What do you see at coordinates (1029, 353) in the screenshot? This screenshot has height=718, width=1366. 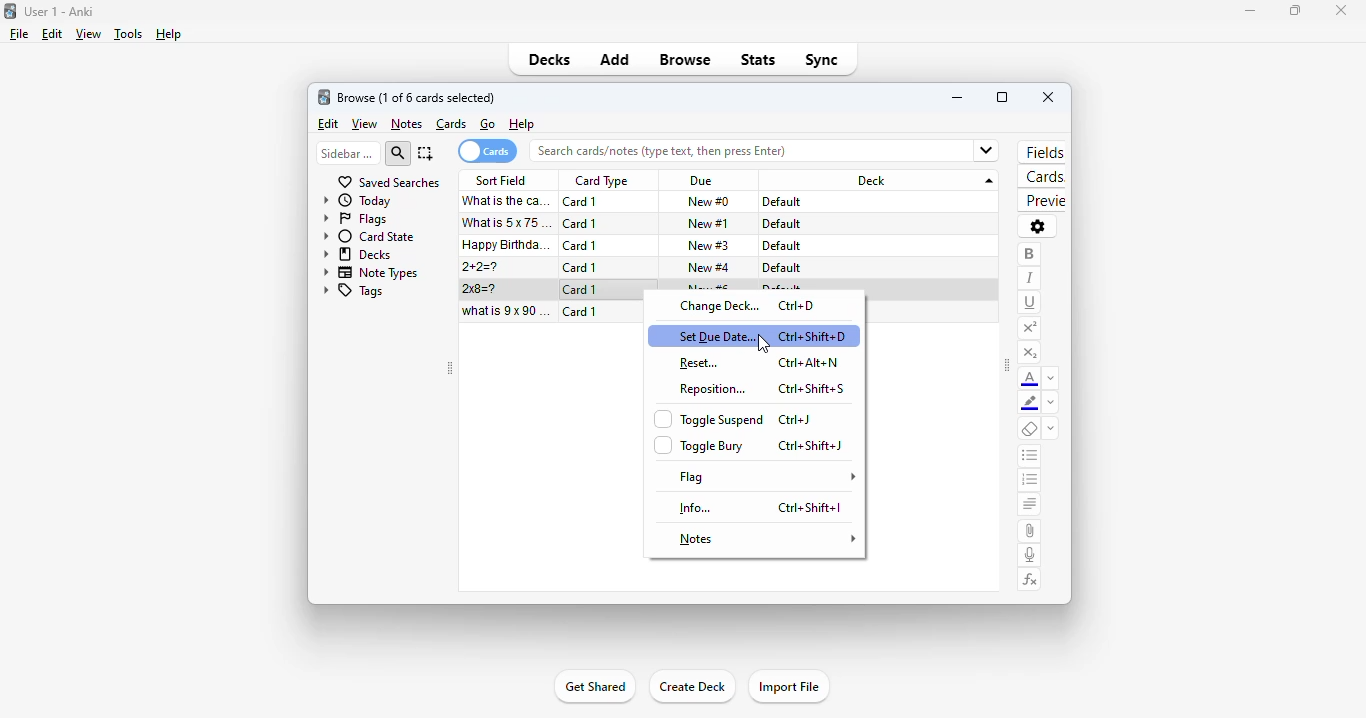 I see `subscript` at bounding box center [1029, 353].